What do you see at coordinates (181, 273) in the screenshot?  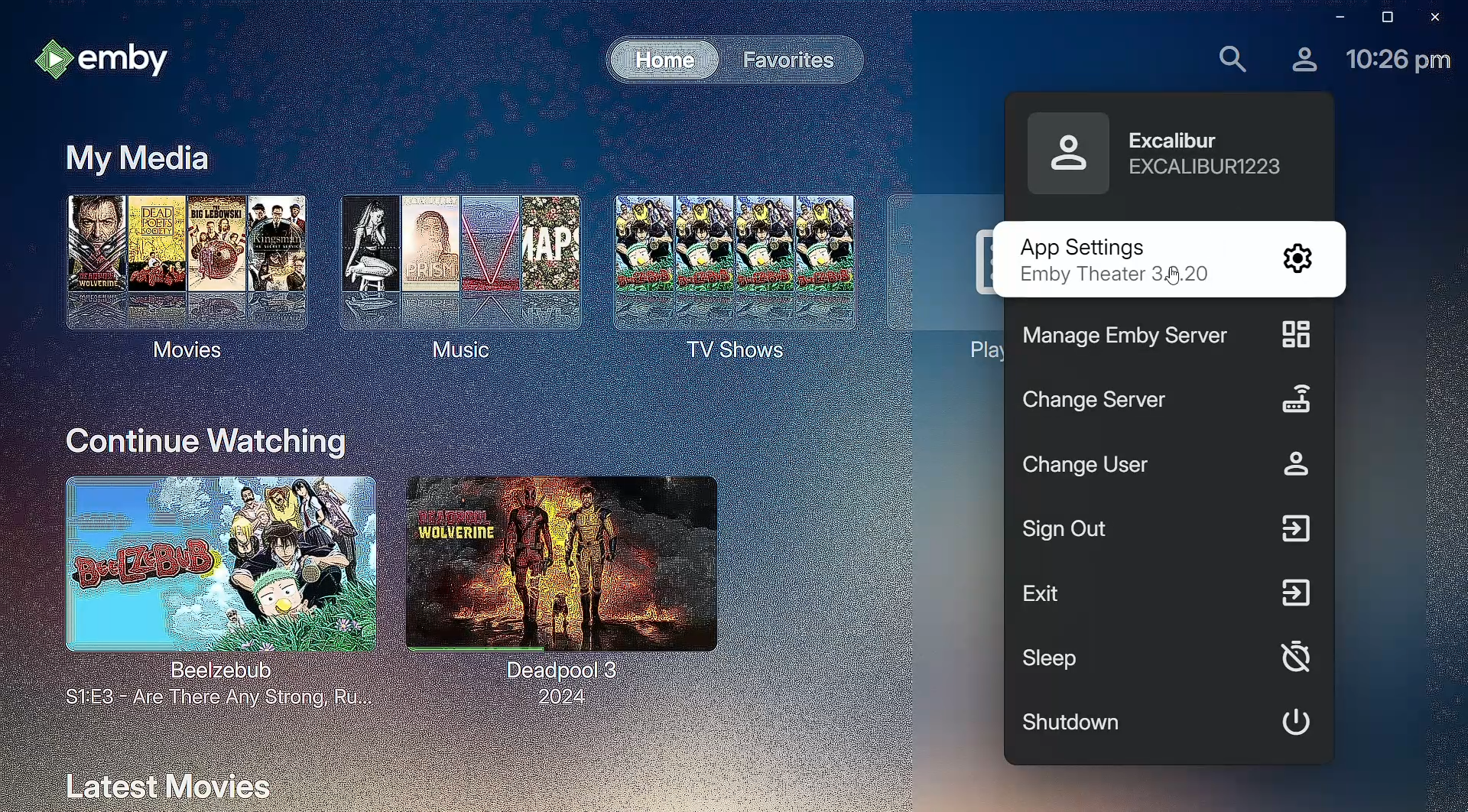 I see `Movies` at bounding box center [181, 273].